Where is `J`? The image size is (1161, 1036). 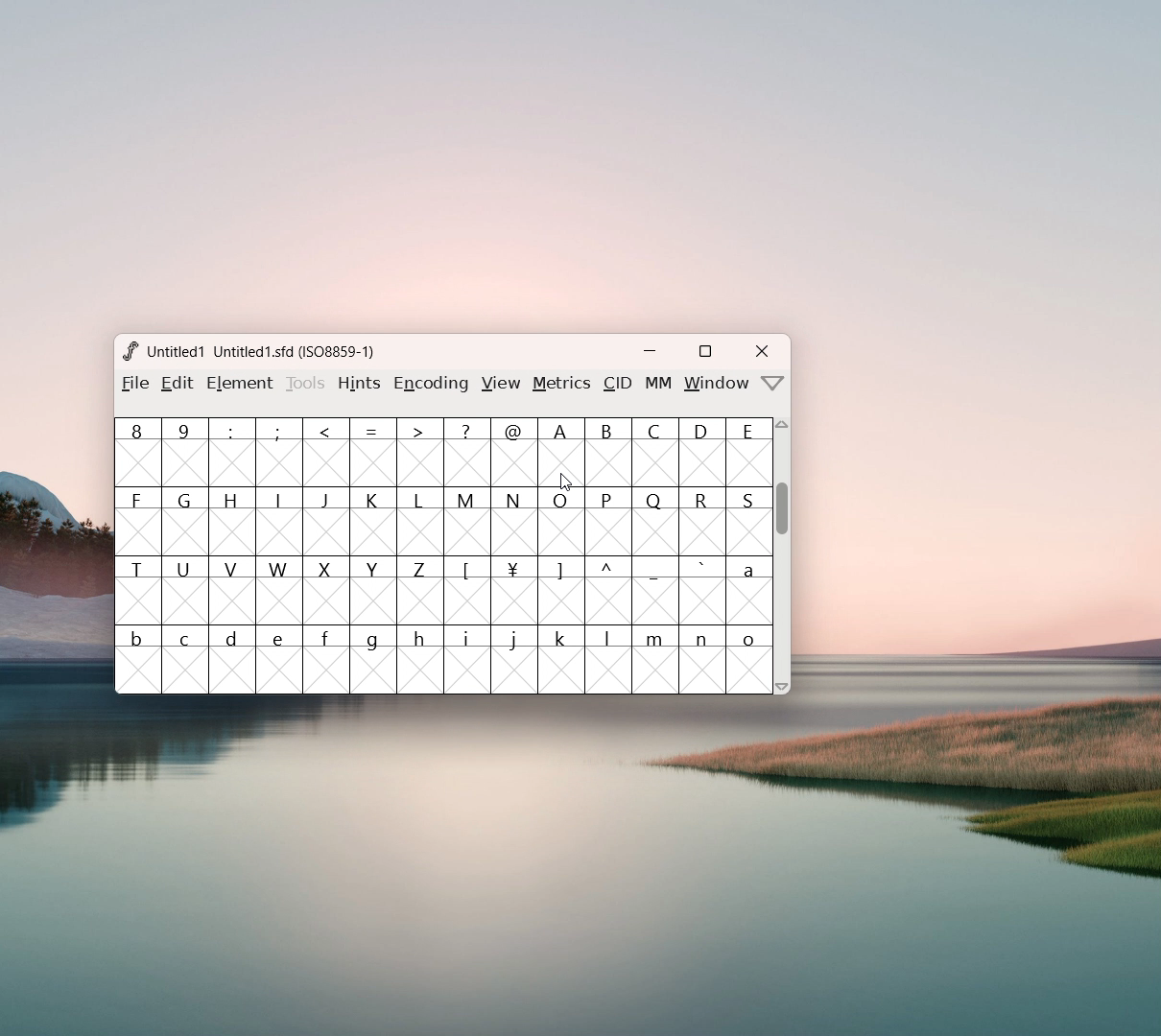
J is located at coordinates (327, 522).